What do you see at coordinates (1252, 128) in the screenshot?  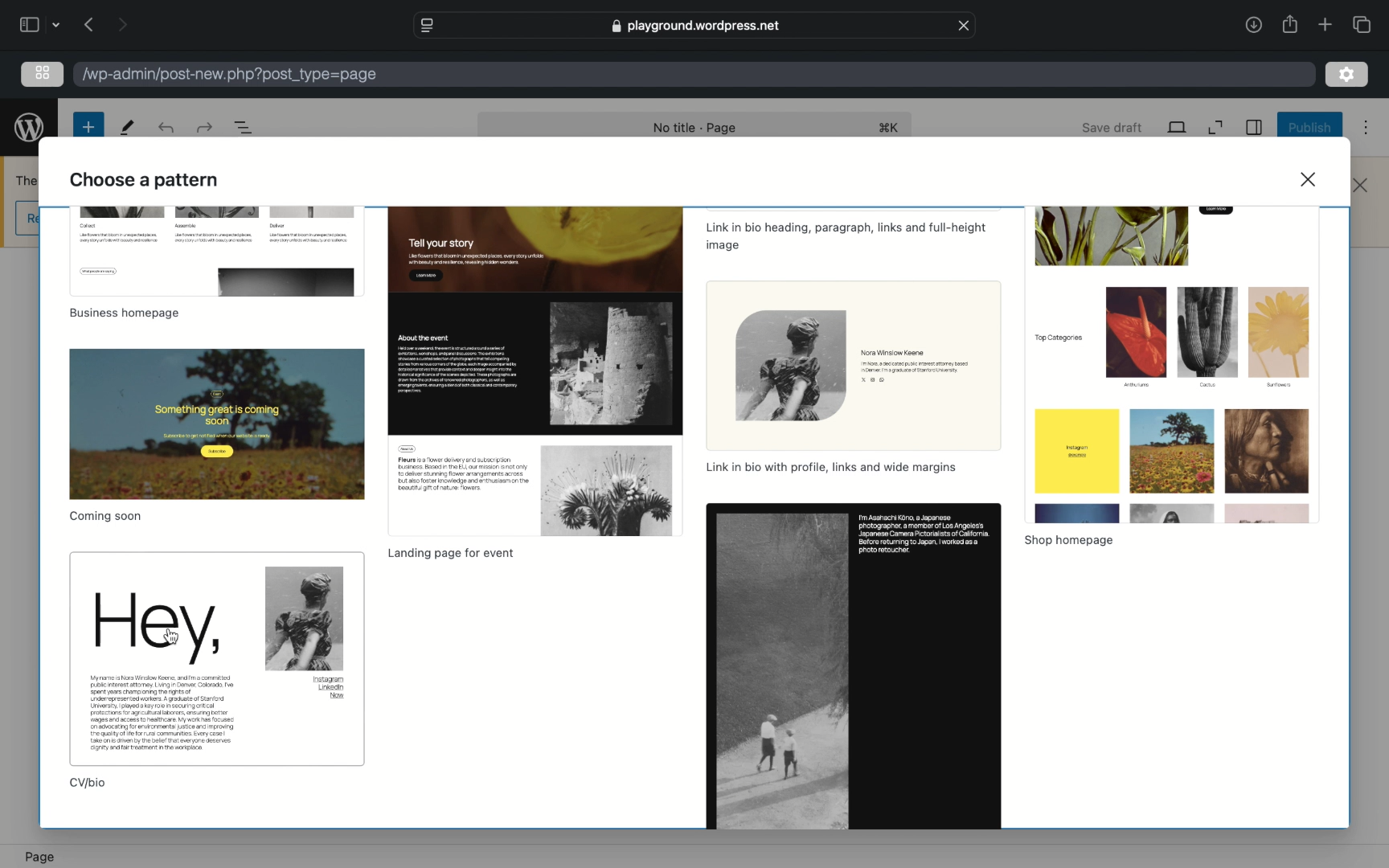 I see `sidebar` at bounding box center [1252, 128].